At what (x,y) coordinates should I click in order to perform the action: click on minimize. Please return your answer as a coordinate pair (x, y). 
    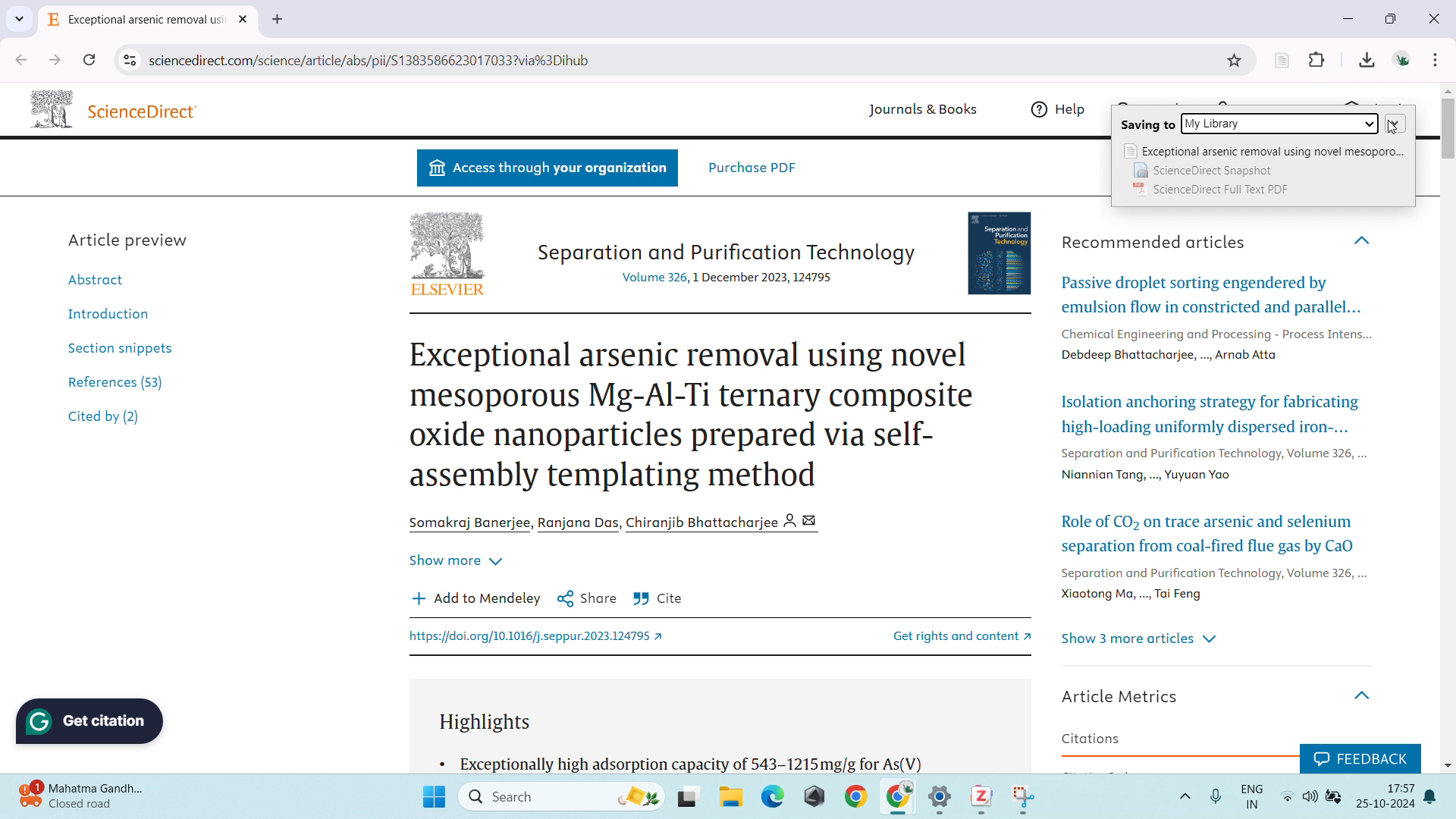
    Looking at the image, I should click on (1347, 18).